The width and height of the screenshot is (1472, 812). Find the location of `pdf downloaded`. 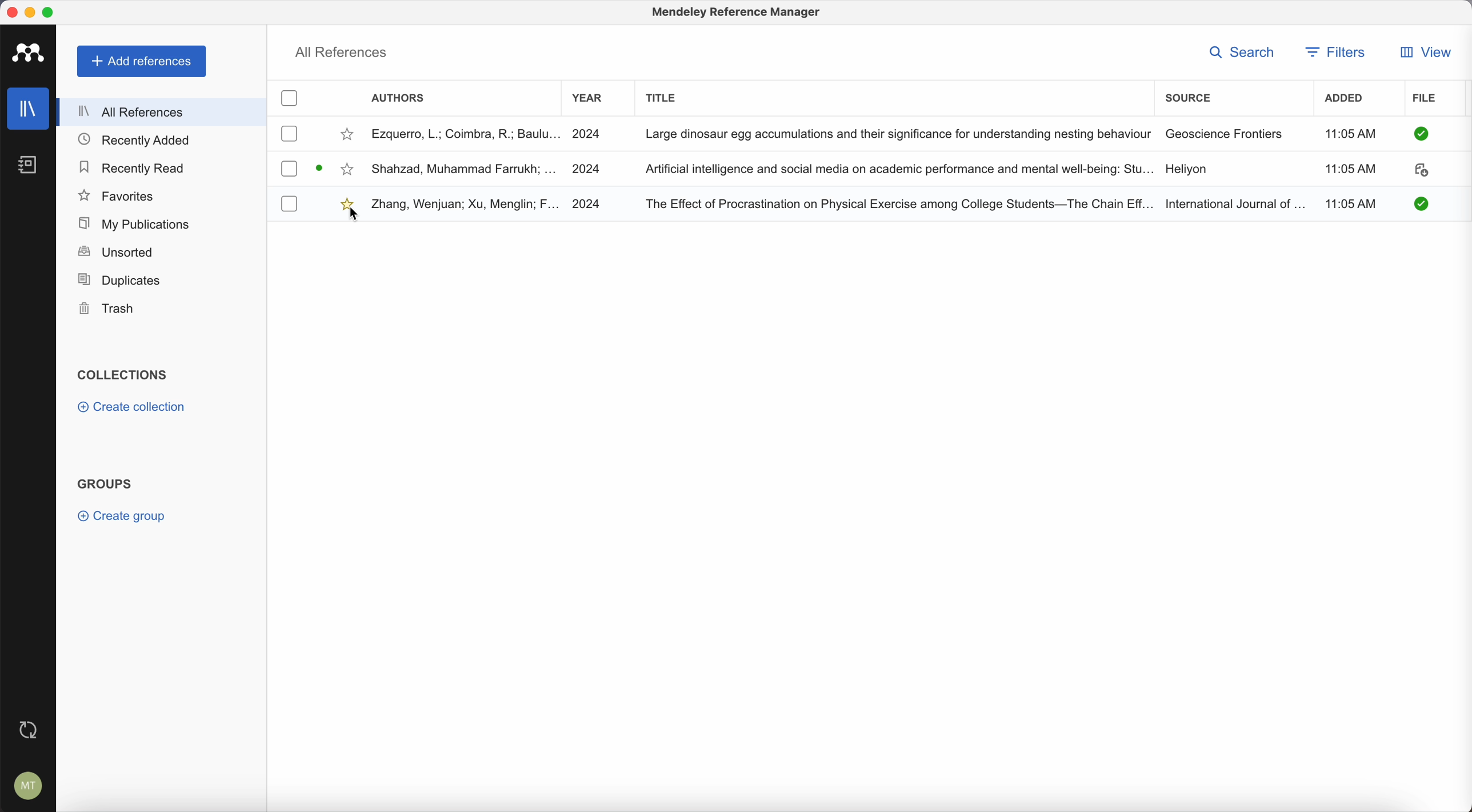

pdf downloaded is located at coordinates (1419, 134).